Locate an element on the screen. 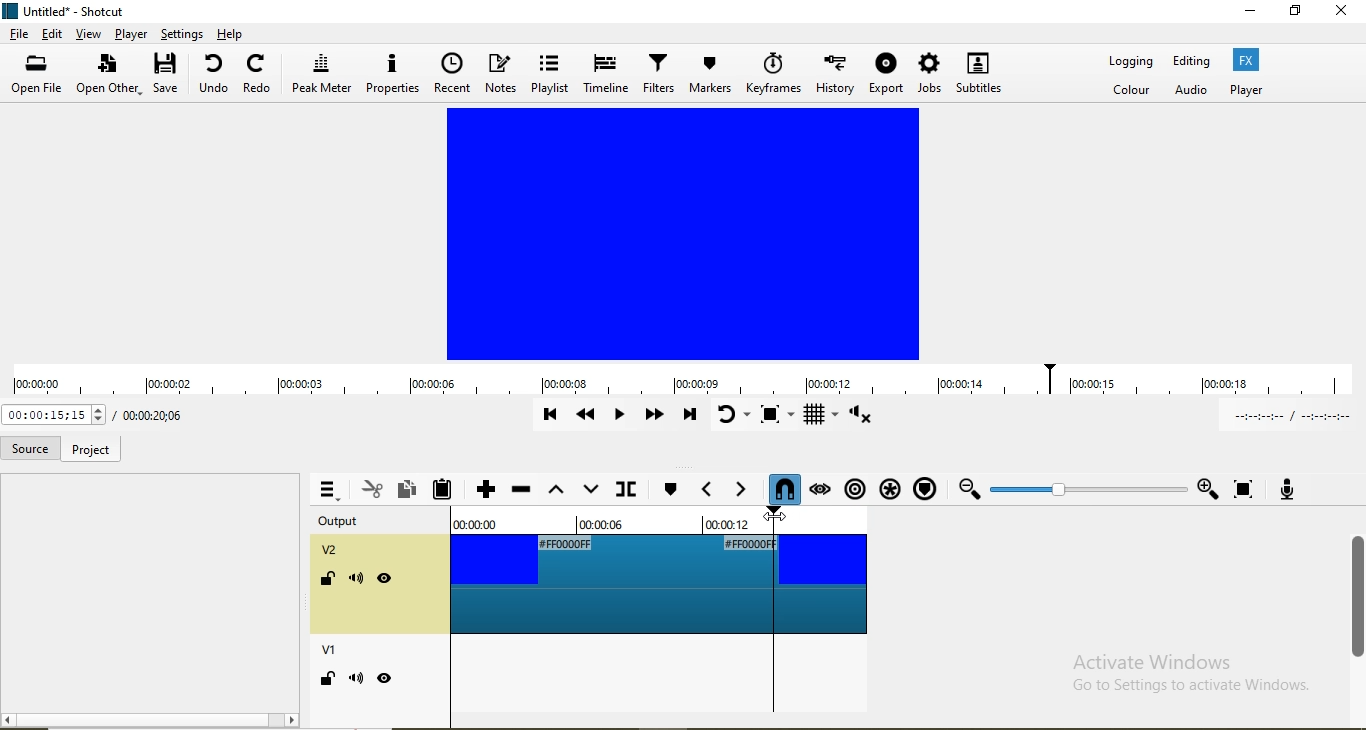  Editing is located at coordinates (1191, 61).